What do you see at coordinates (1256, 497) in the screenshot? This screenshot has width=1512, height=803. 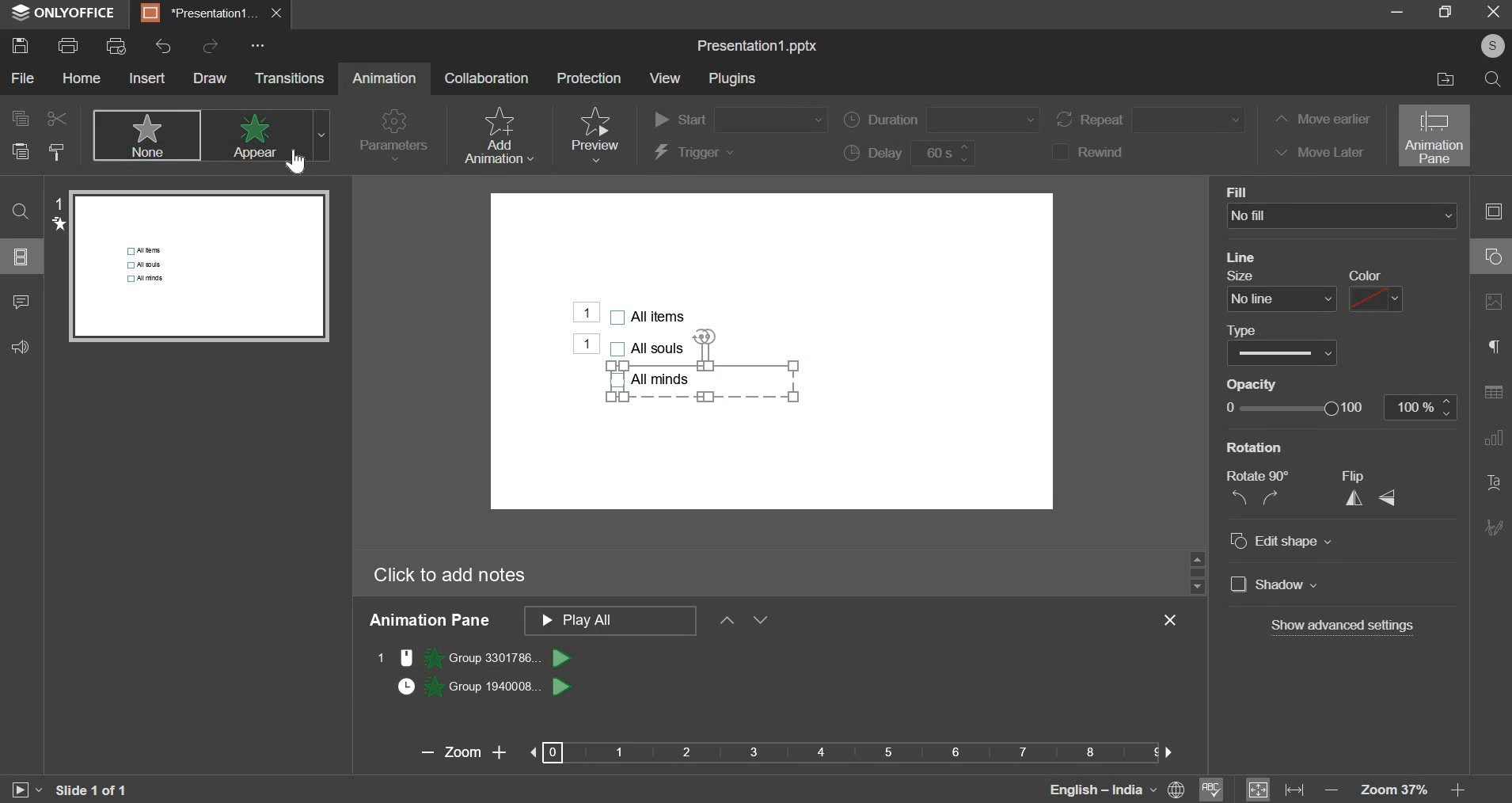 I see `rotate` at bounding box center [1256, 497].